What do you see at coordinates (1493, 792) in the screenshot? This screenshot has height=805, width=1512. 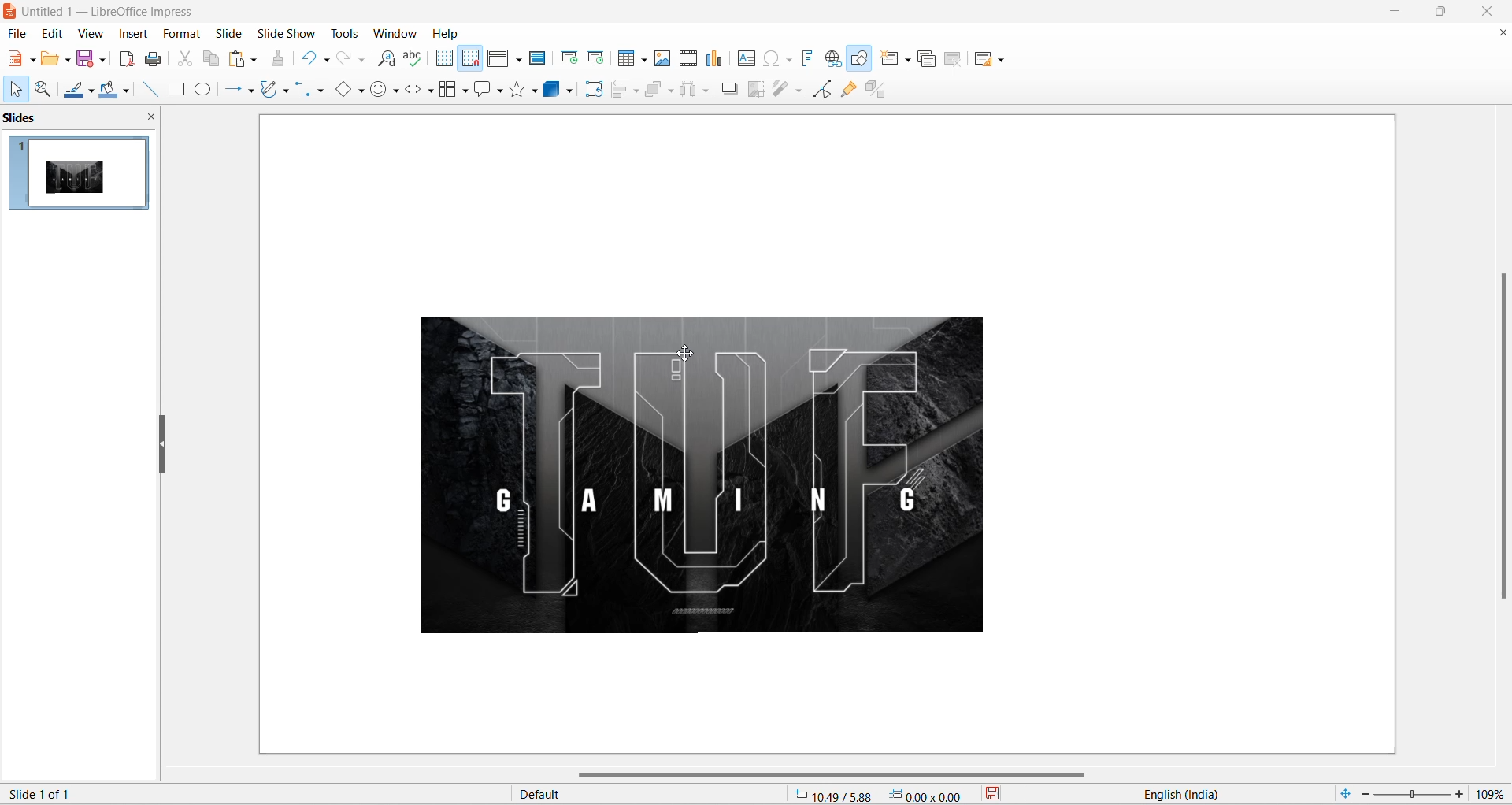 I see `zoom percentage` at bounding box center [1493, 792].